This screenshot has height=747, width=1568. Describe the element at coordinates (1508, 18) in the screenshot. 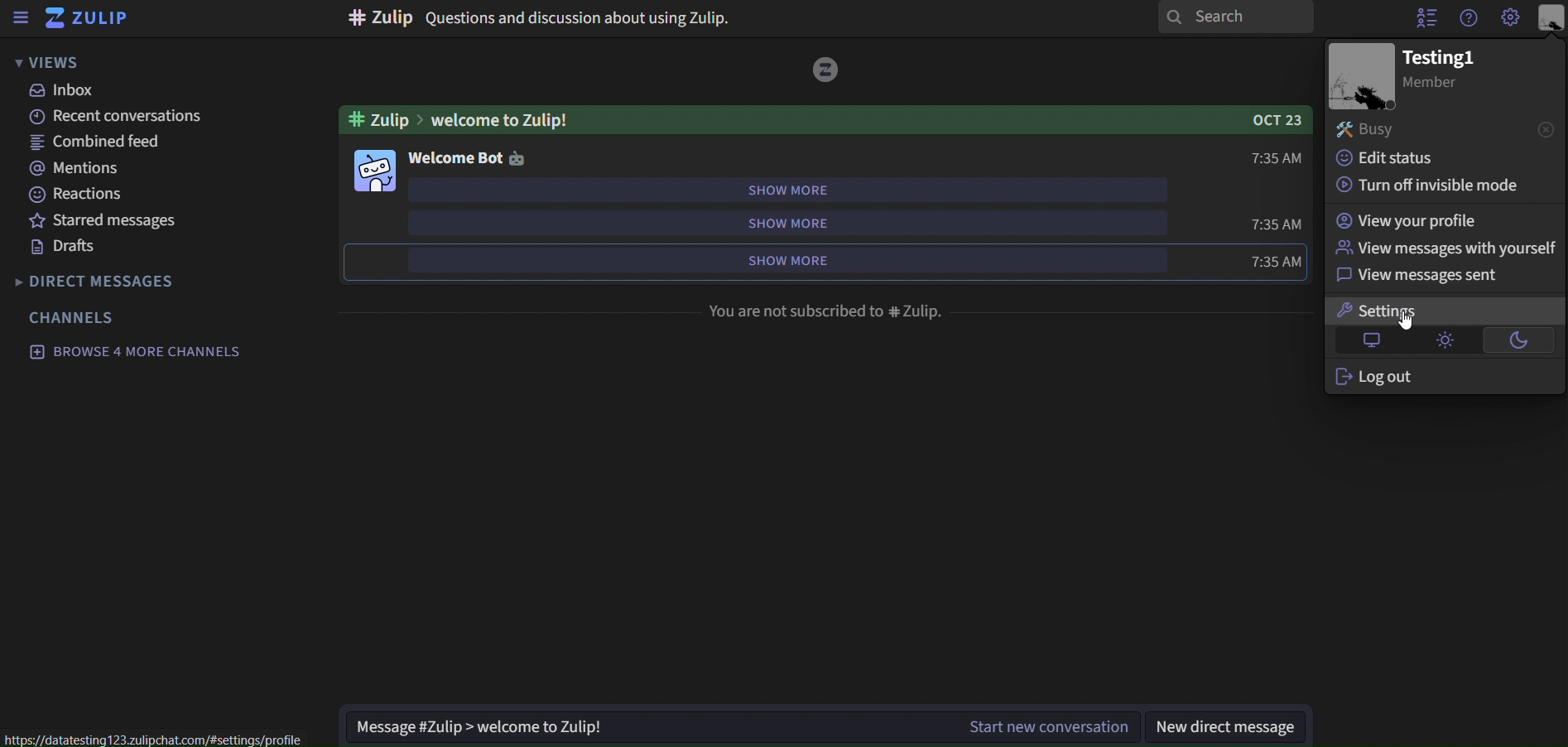

I see `setting` at that location.